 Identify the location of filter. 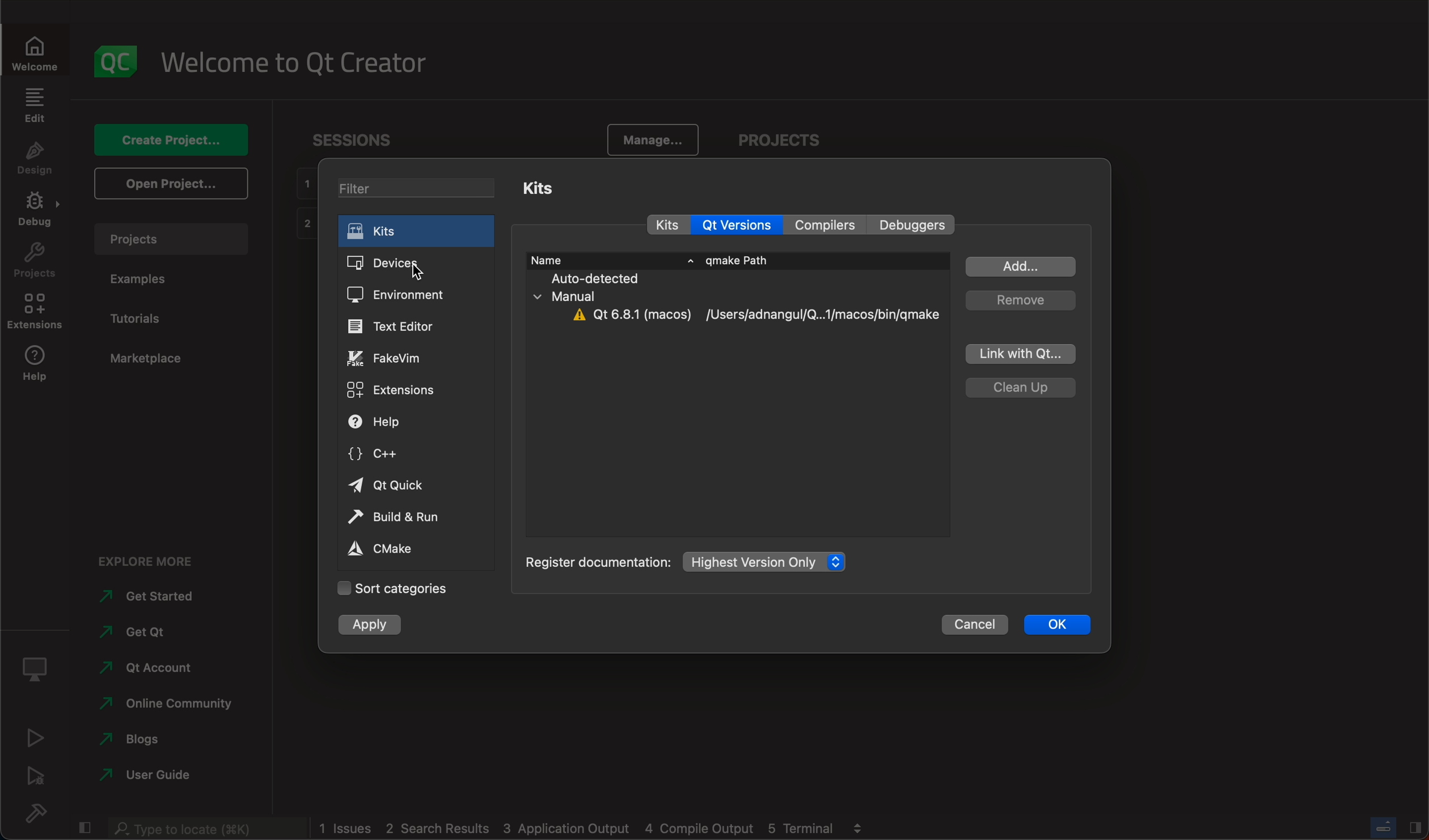
(421, 188).